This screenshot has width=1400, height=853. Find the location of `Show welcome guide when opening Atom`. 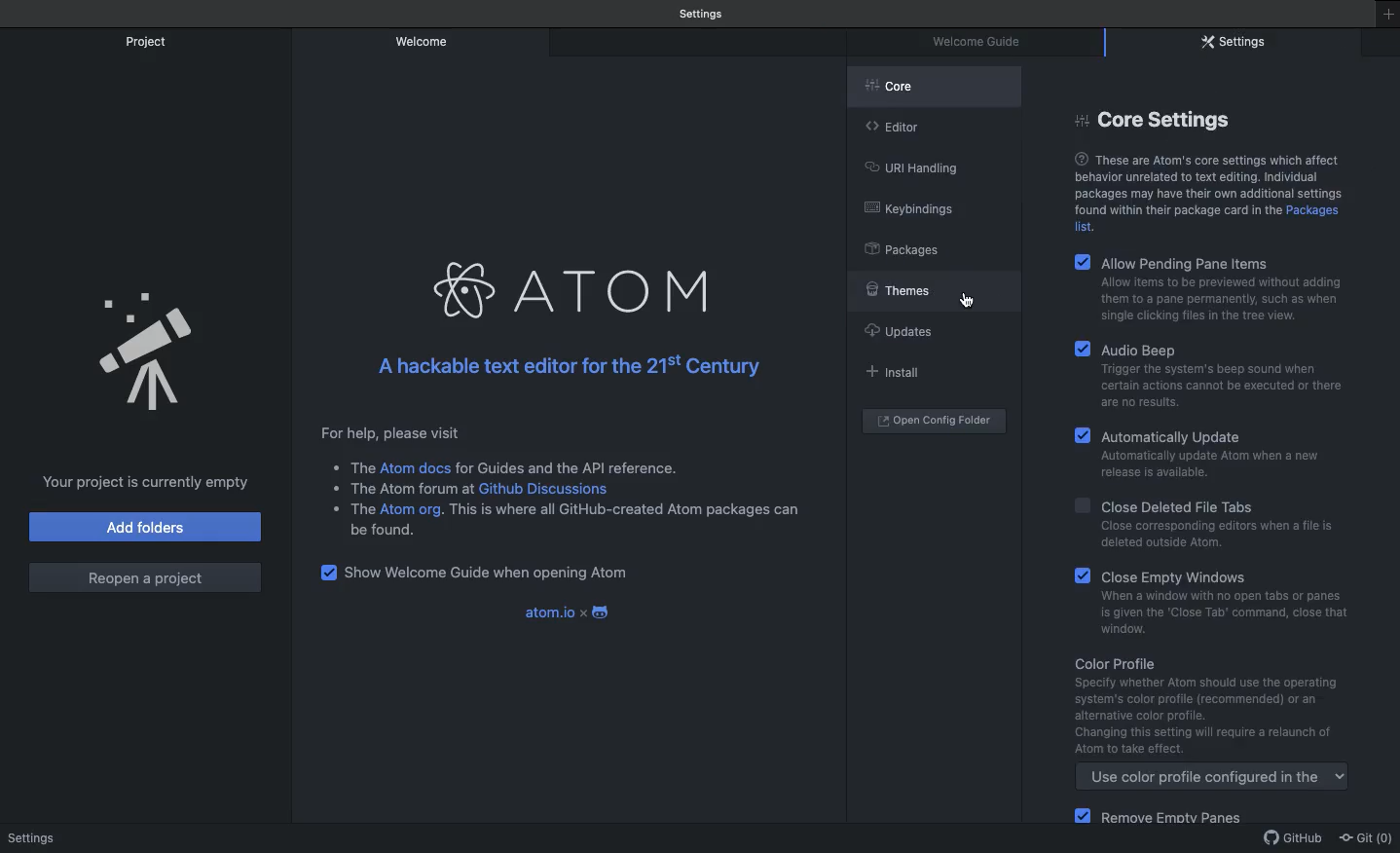

Show welcome guide when opening Atom is located at coordinates (490, 573).